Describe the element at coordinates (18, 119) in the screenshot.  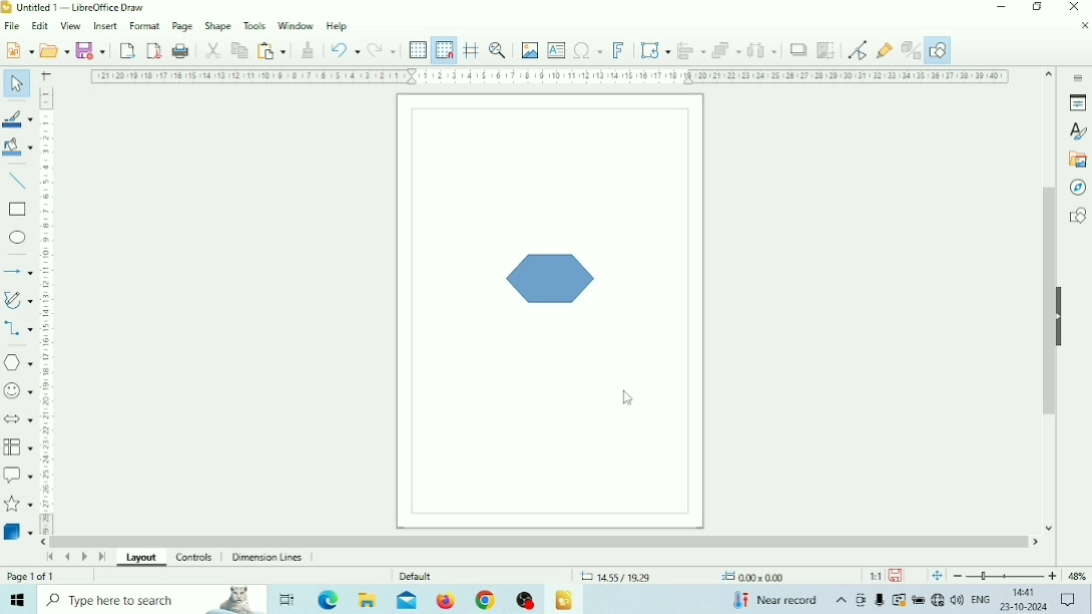
I see `Line Color` at that location.